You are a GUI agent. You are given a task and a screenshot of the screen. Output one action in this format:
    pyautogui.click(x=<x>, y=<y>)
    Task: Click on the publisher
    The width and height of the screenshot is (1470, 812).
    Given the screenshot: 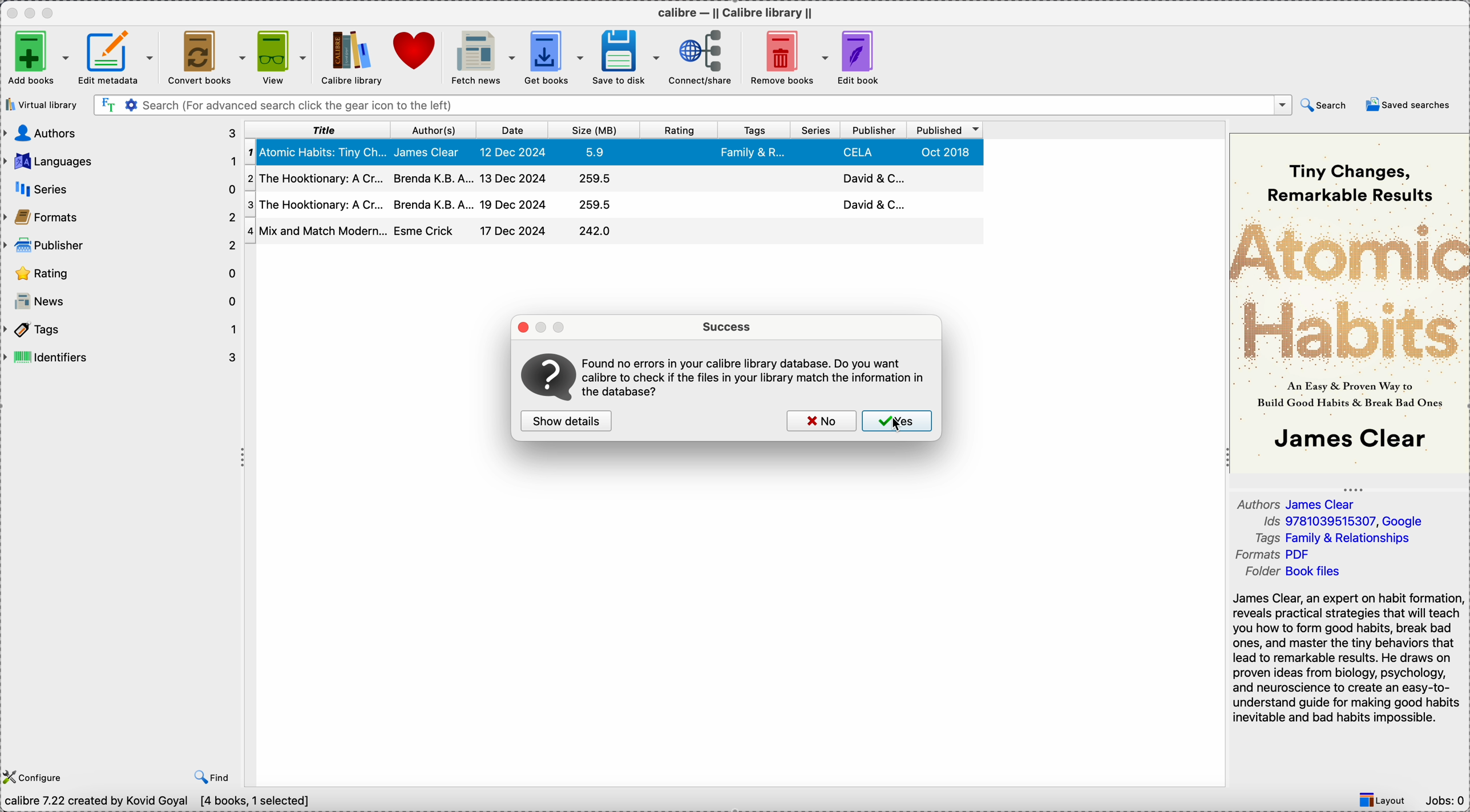 What is the action you would take?
    pyautogui.click(x=875, y=130)
    